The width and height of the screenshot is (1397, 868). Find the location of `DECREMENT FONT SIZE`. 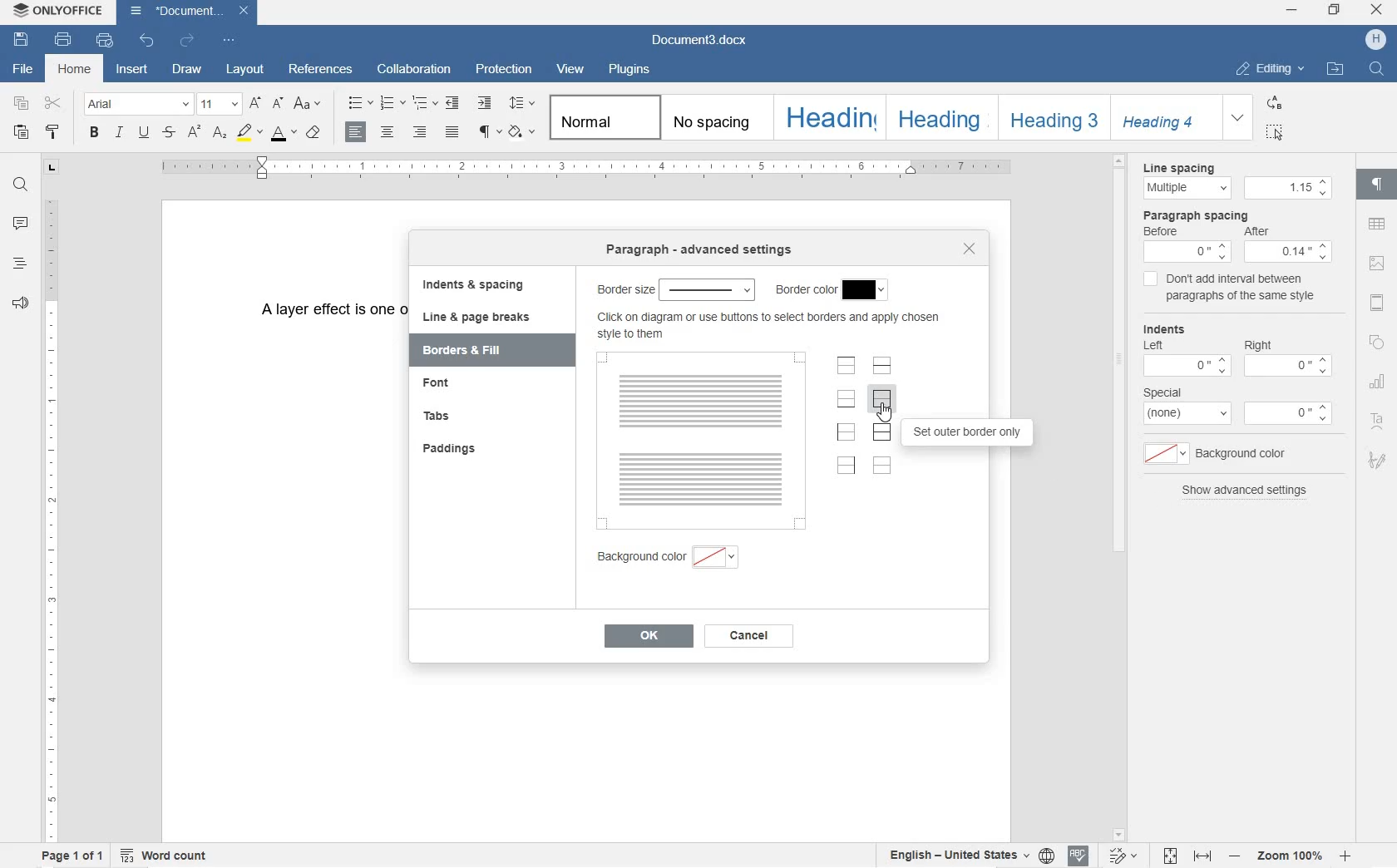

DECREMENT FONT SIZE is located at coordinates (276, 105).